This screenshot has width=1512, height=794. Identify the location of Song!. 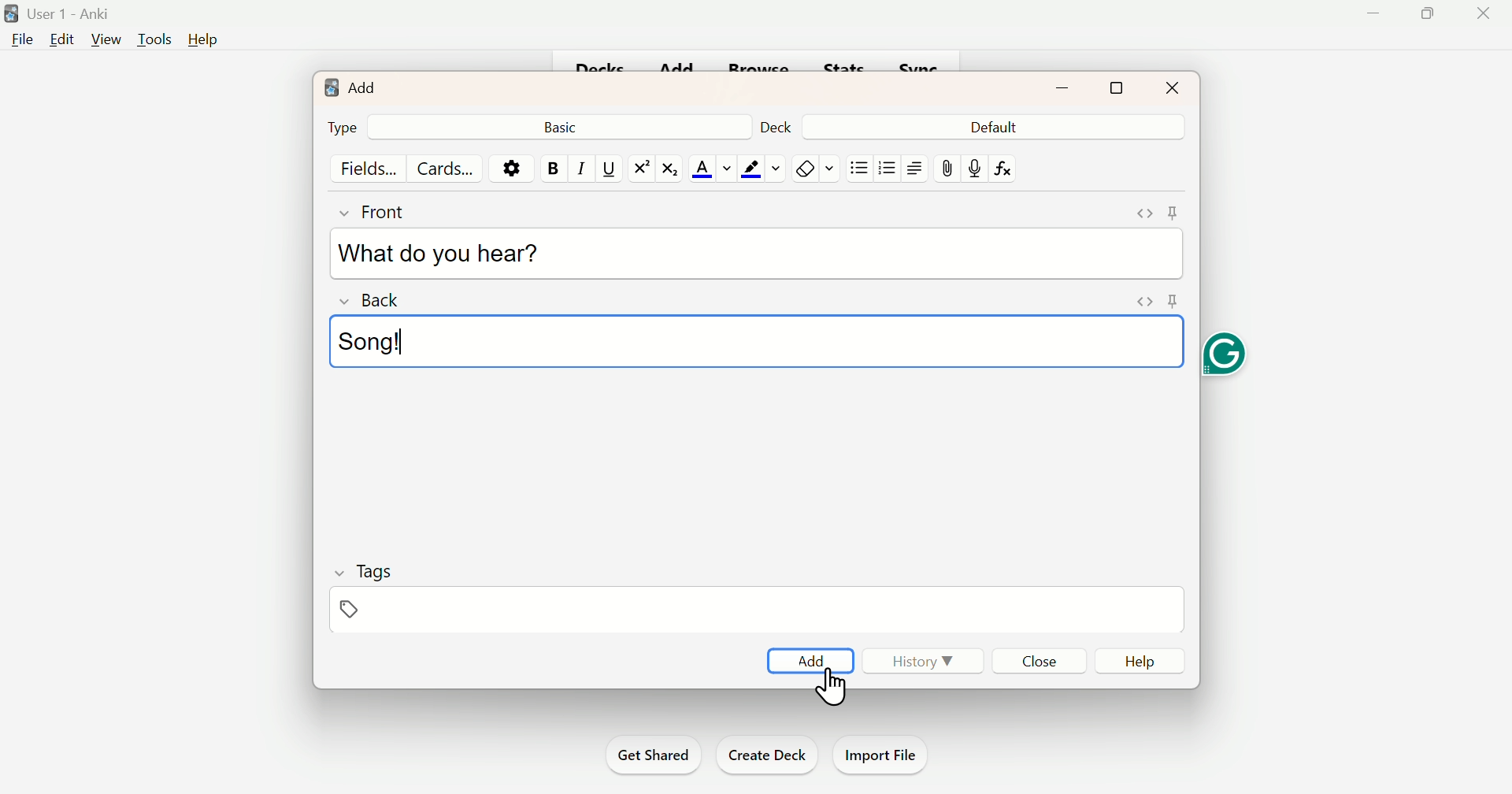
(379, 342).